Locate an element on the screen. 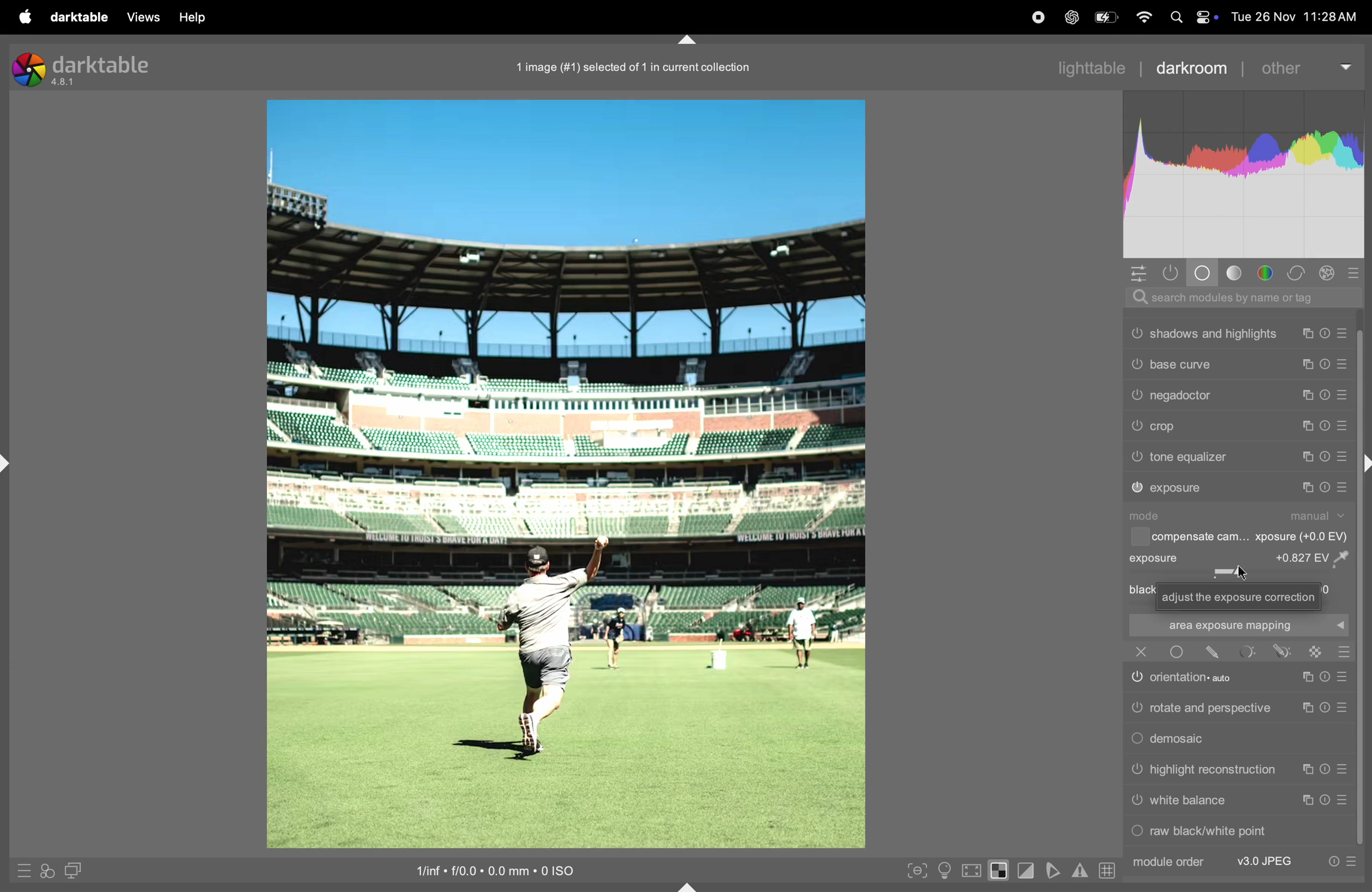 The image size is (1372, 892). toggle peaking focus mode is located at coordinates (914, 869).